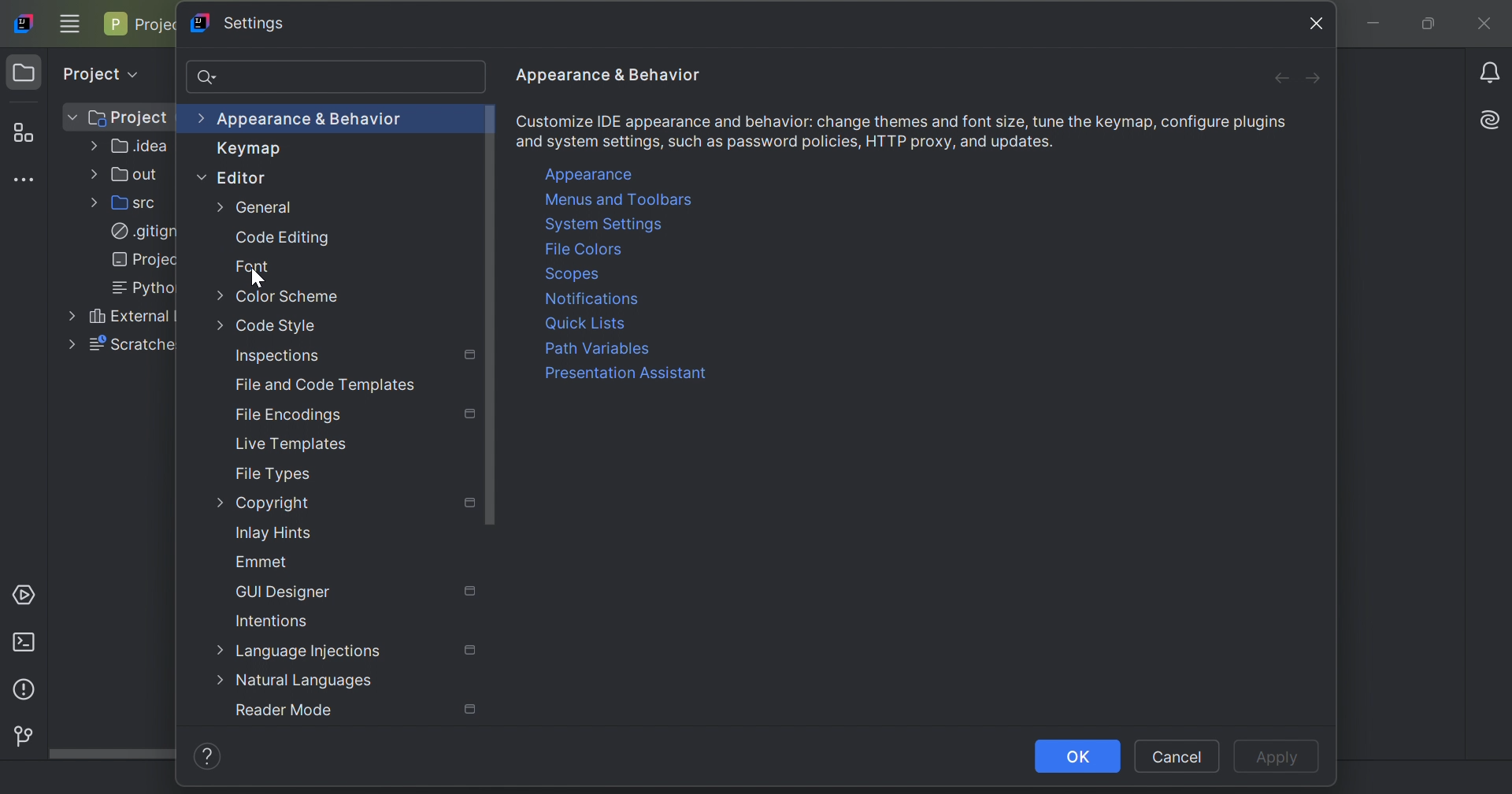  What do you see at coordinates (212, 757) in the screenshot?
I see `Help/info icon` at bounding box center [212, 757].